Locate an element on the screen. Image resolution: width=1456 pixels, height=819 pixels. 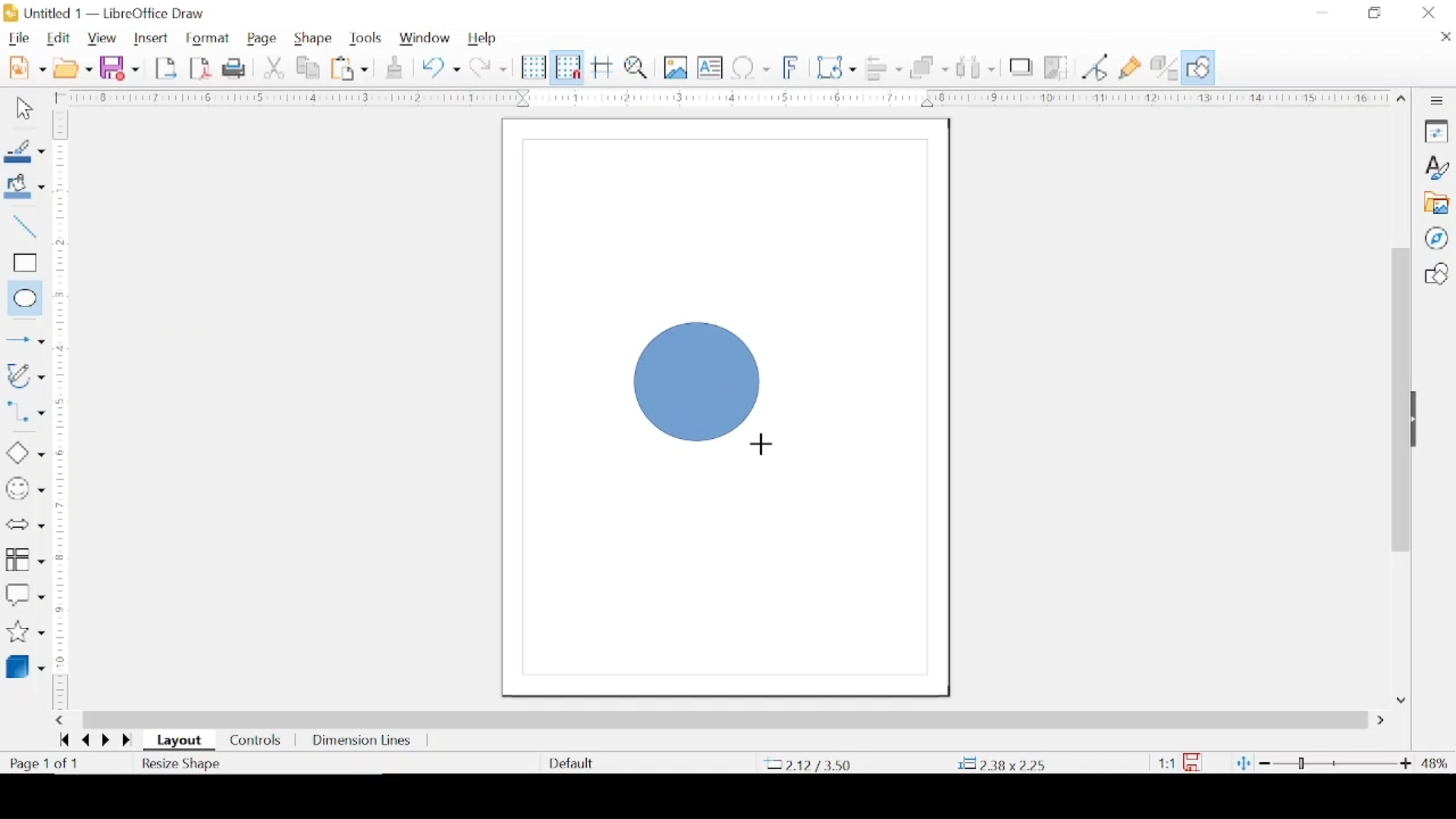
flowchart is located at coordinates (24, 560).